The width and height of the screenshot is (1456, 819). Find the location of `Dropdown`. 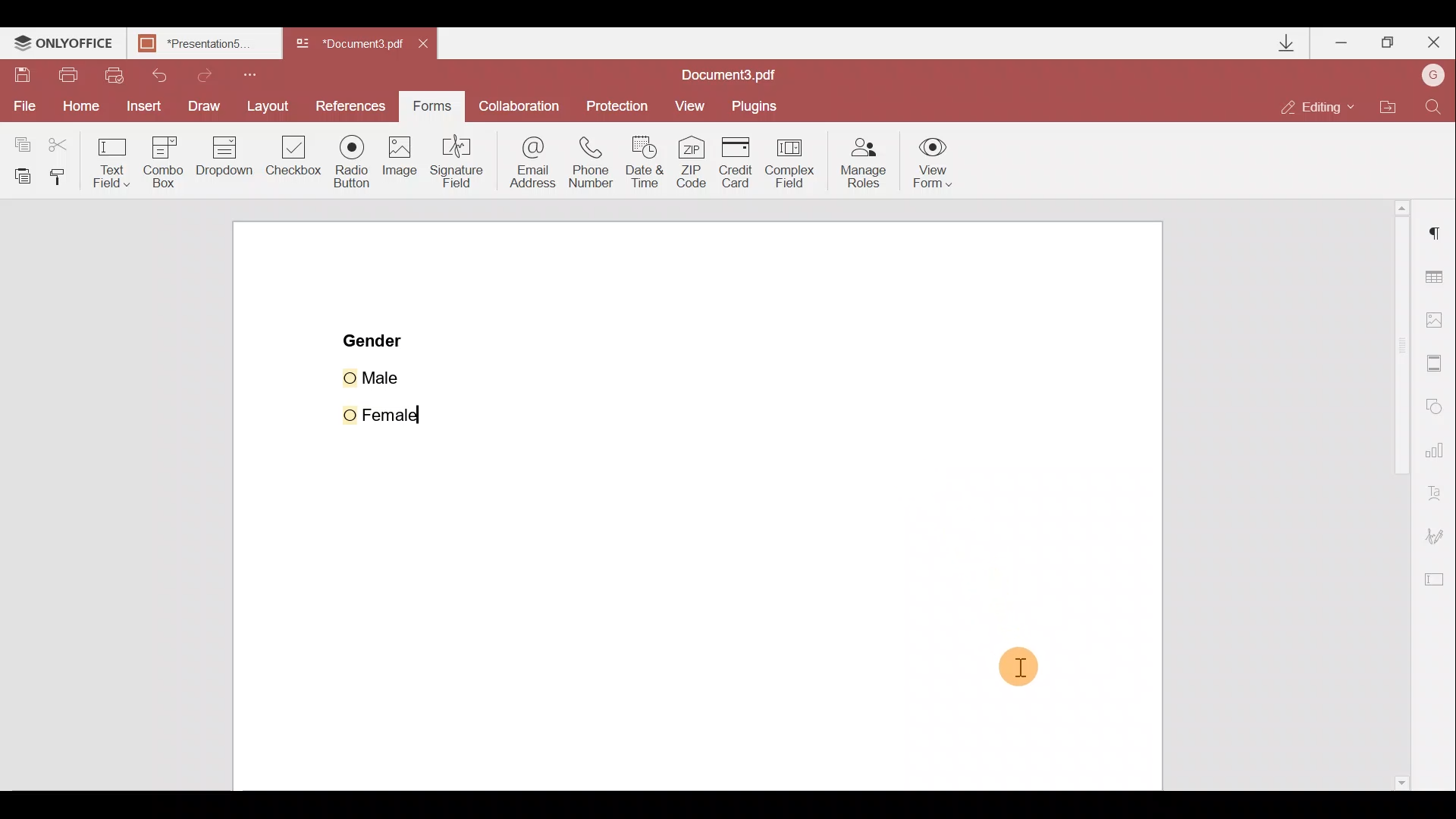

Dropdown is located at coordinates (224, 163).